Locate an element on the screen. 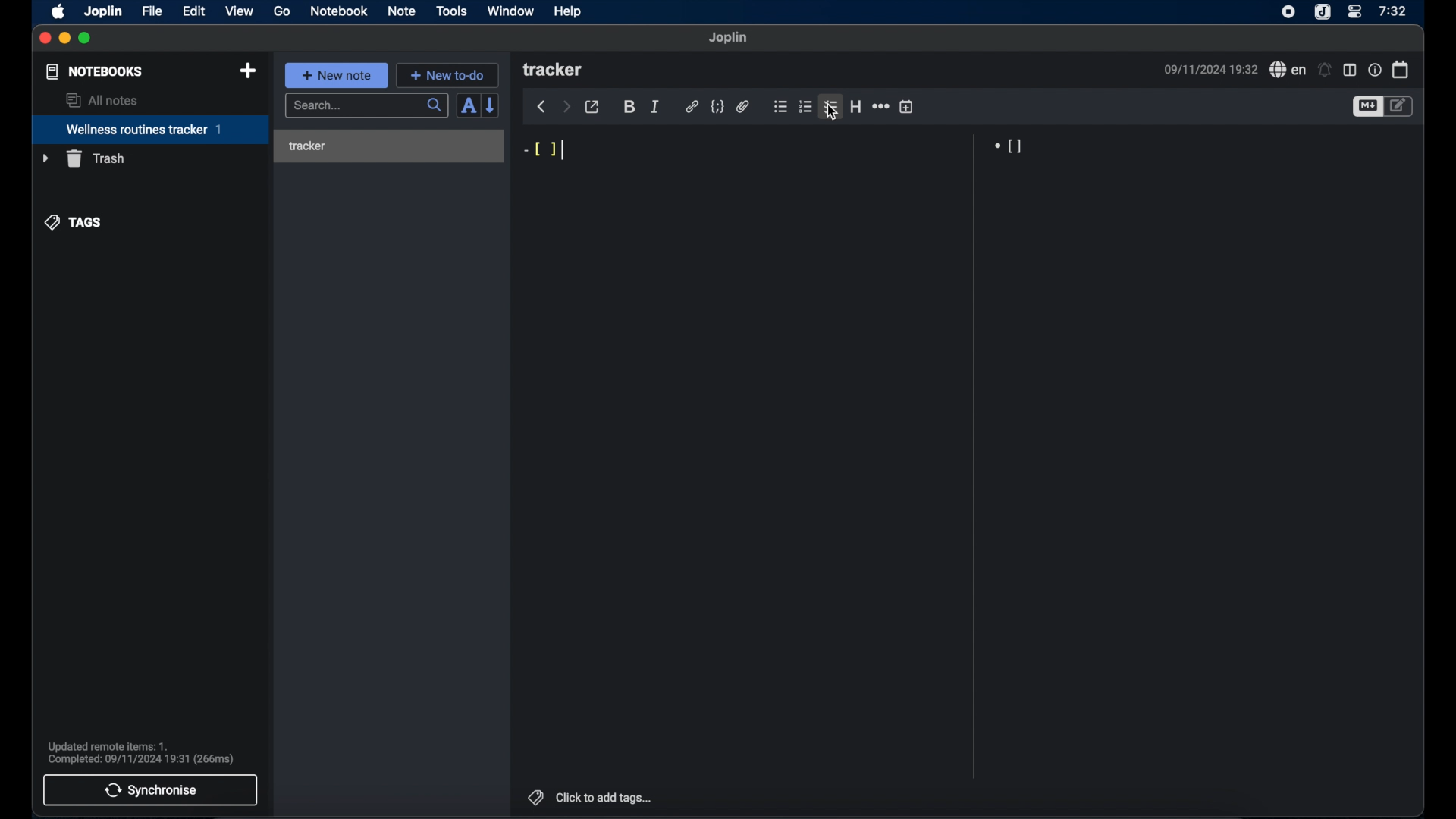 The image size is (1456, 819). toggle editor layout is located at coordinates (1349, 70).